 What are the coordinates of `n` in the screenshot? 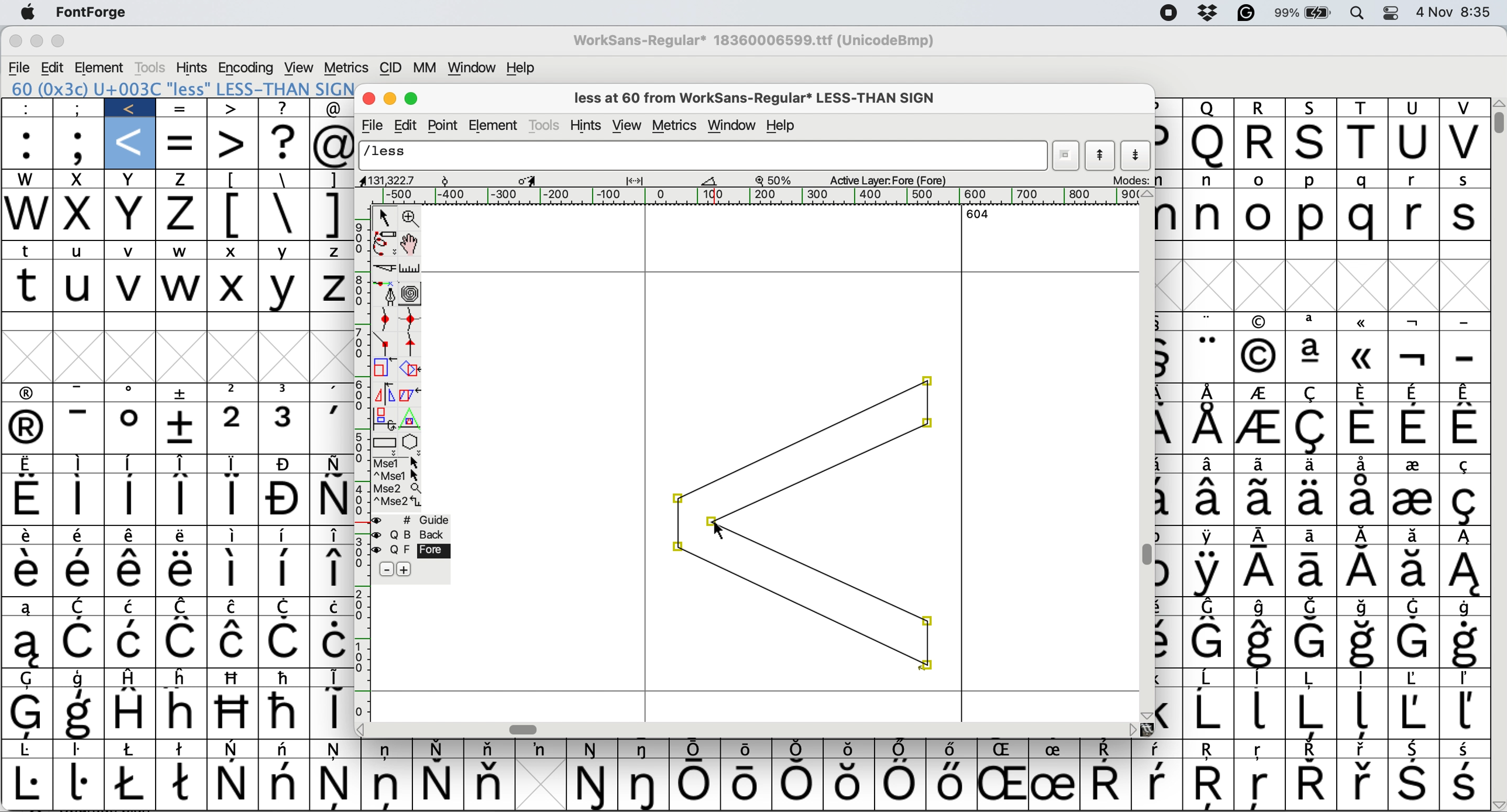 It's located at (1209, 180).